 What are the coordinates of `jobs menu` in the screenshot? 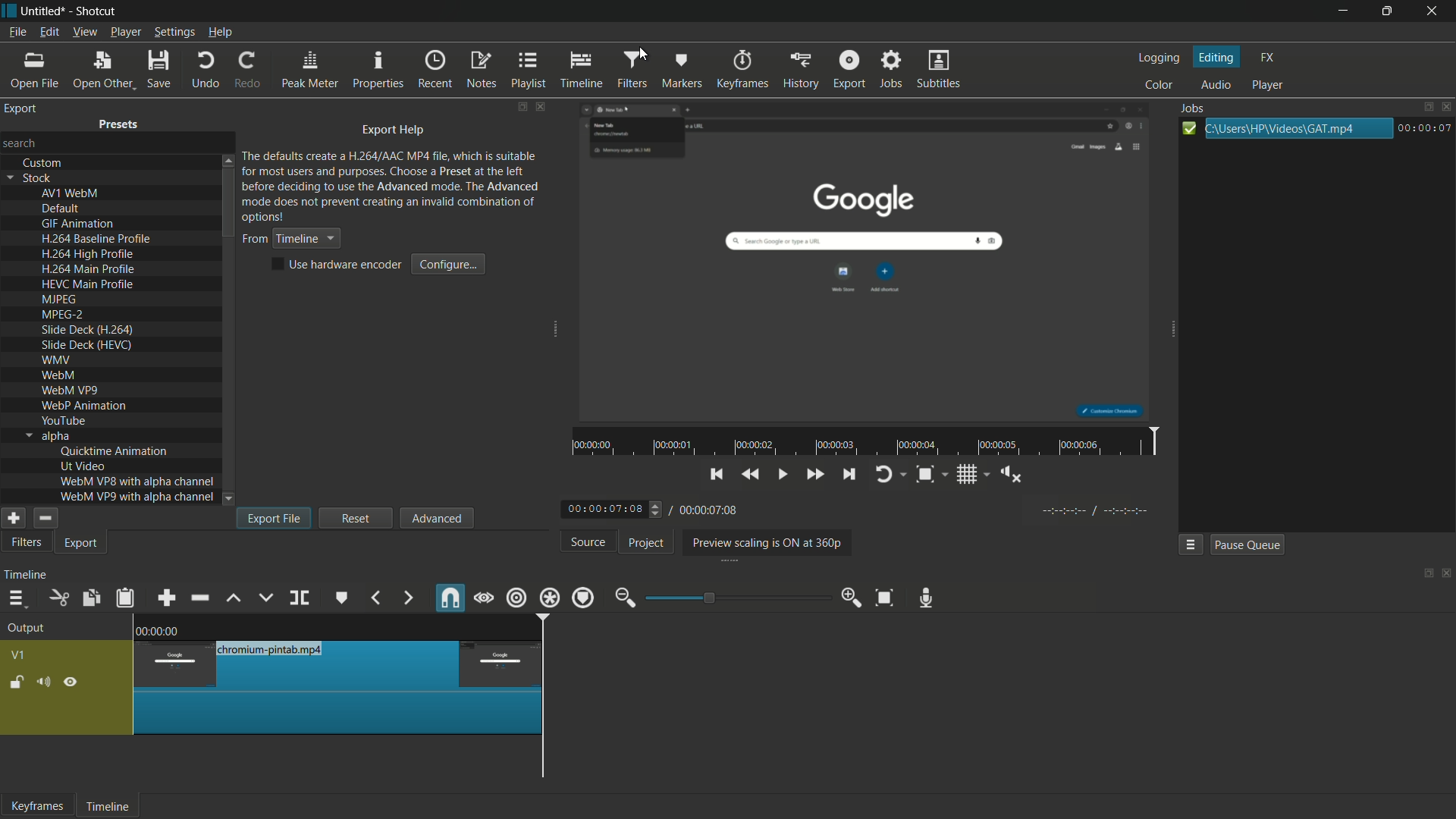 It's located at (1190, 544).